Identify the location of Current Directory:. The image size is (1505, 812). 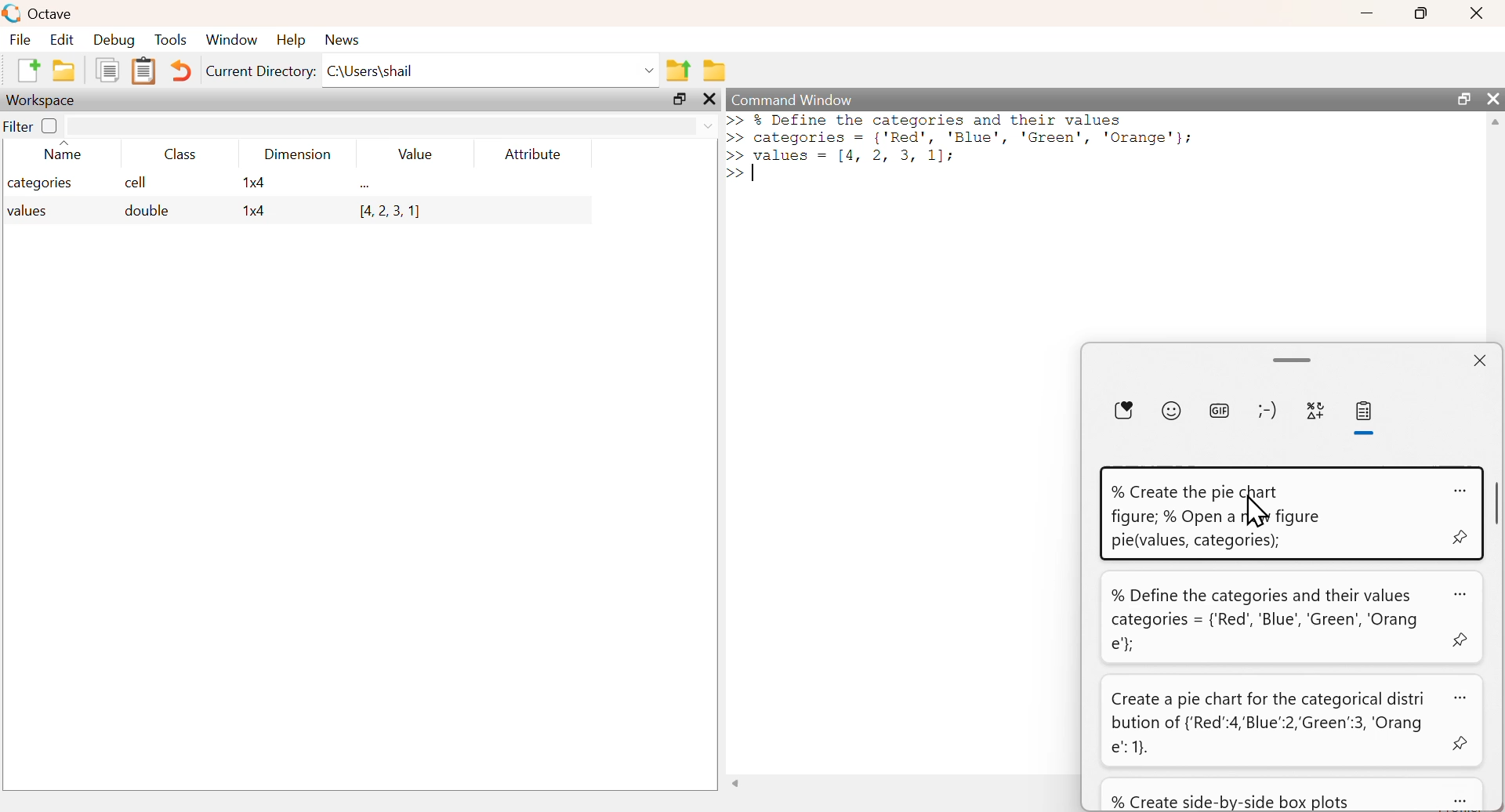
(260, 71).